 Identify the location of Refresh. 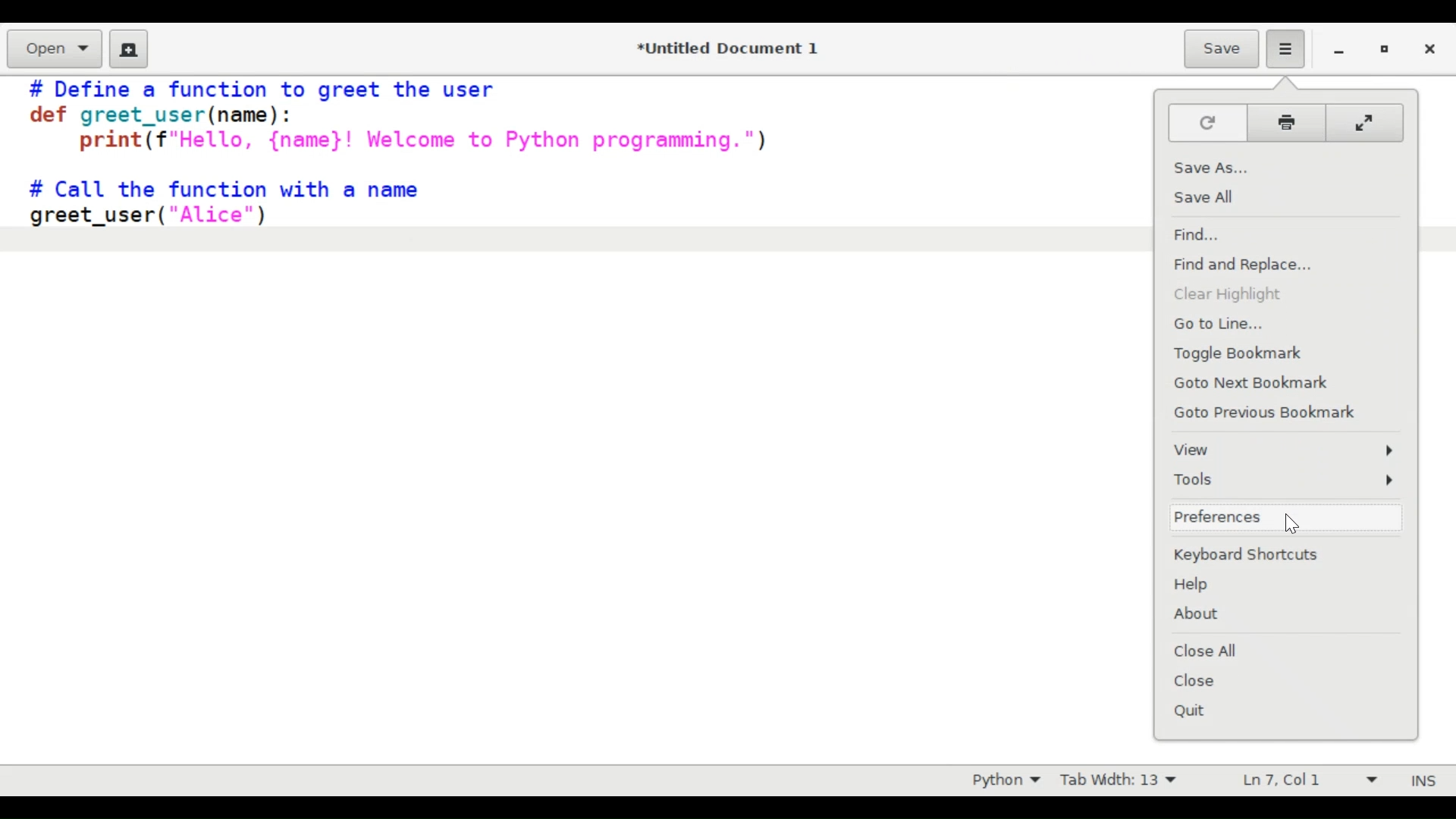
(1207, 121).